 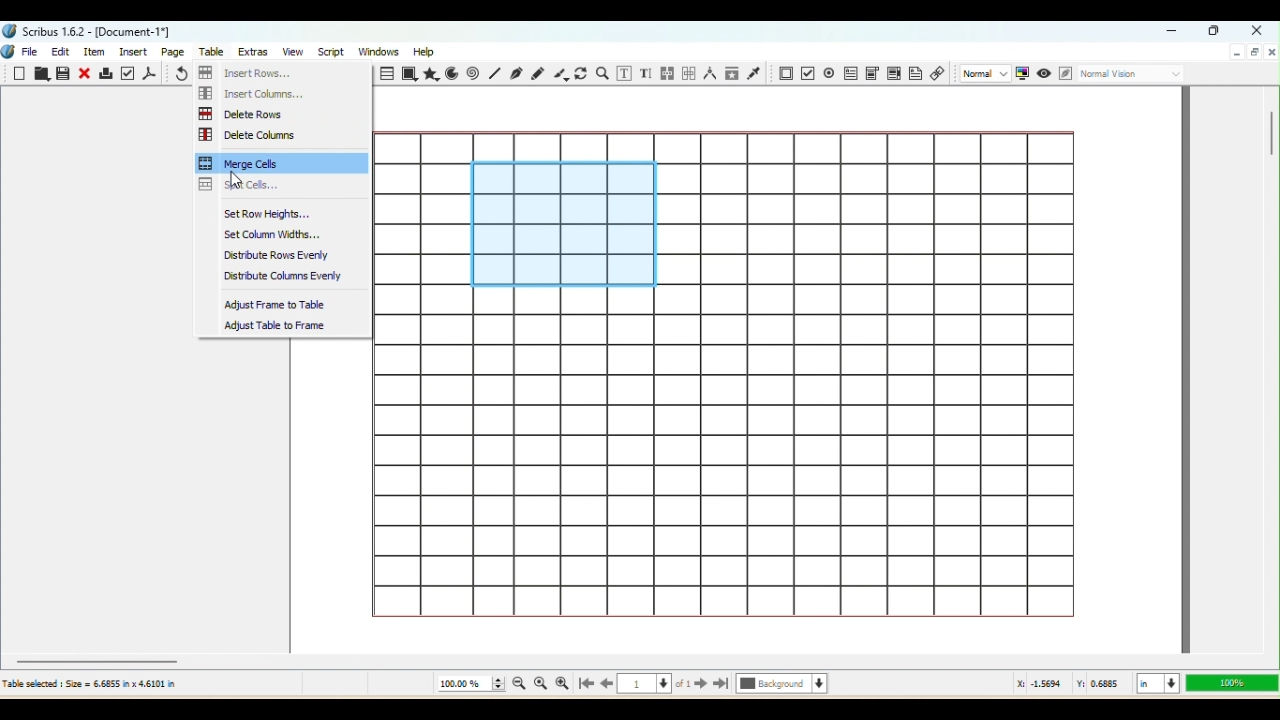 I want to click on Zoom In or Out, so click(x=603, y=72).